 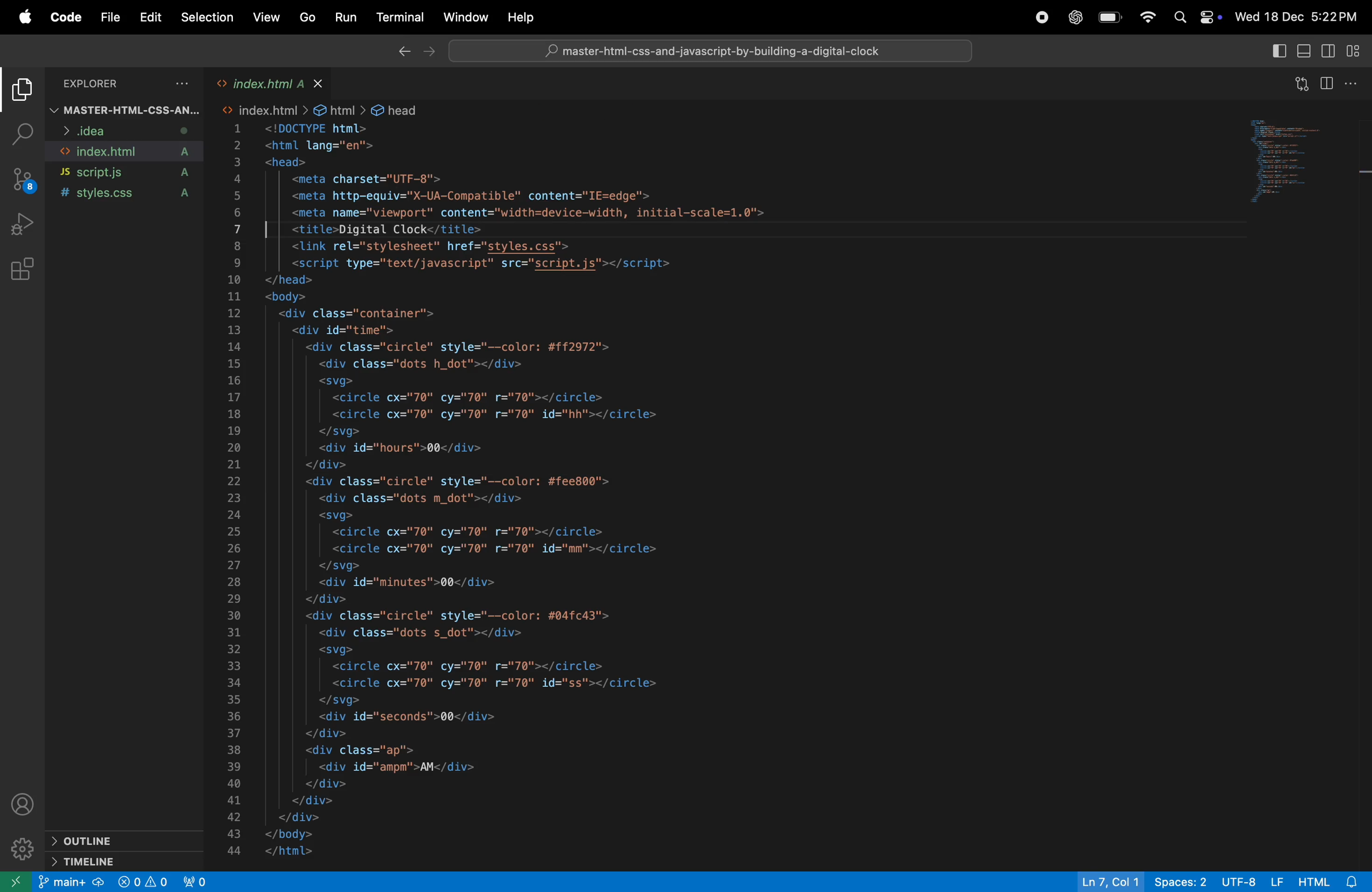 What do you see at coordinates (323, 81) in the screenshot?
I see `close` at bounding box center [323, 81].